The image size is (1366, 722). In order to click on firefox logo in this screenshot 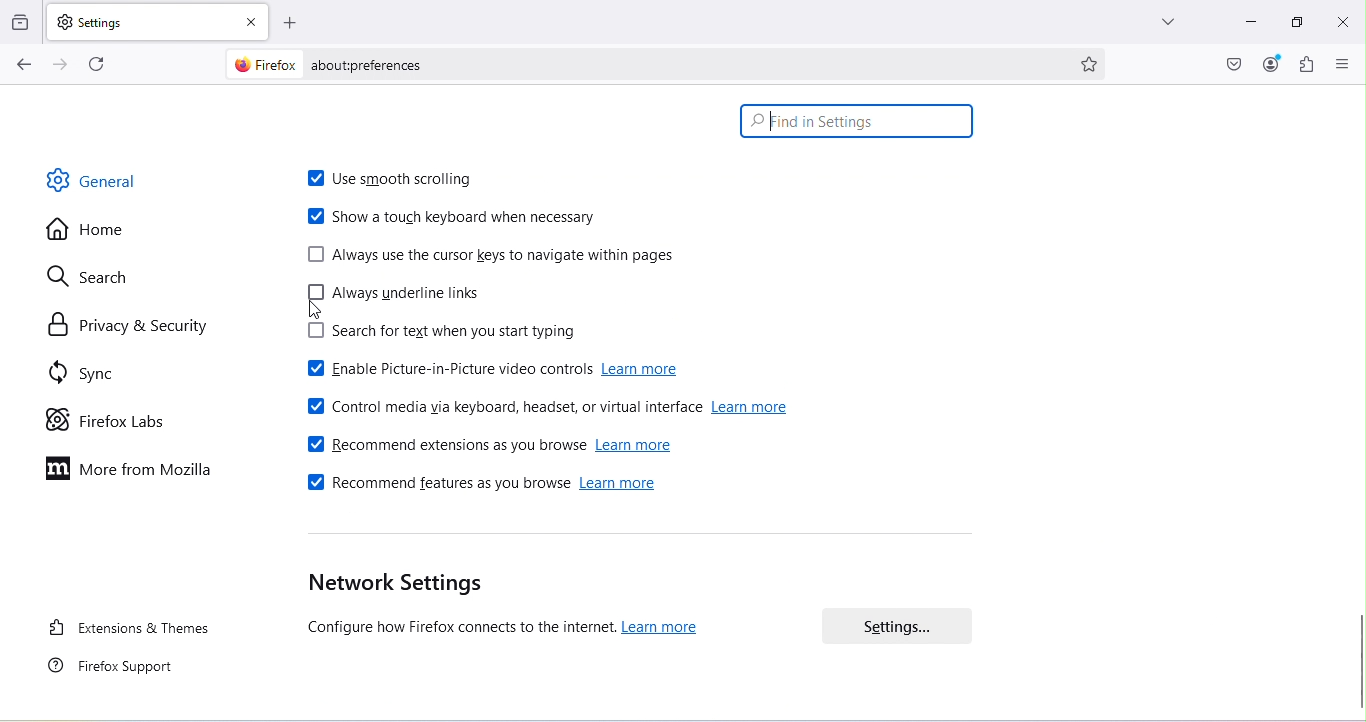, I will do `click(265, 64)`.